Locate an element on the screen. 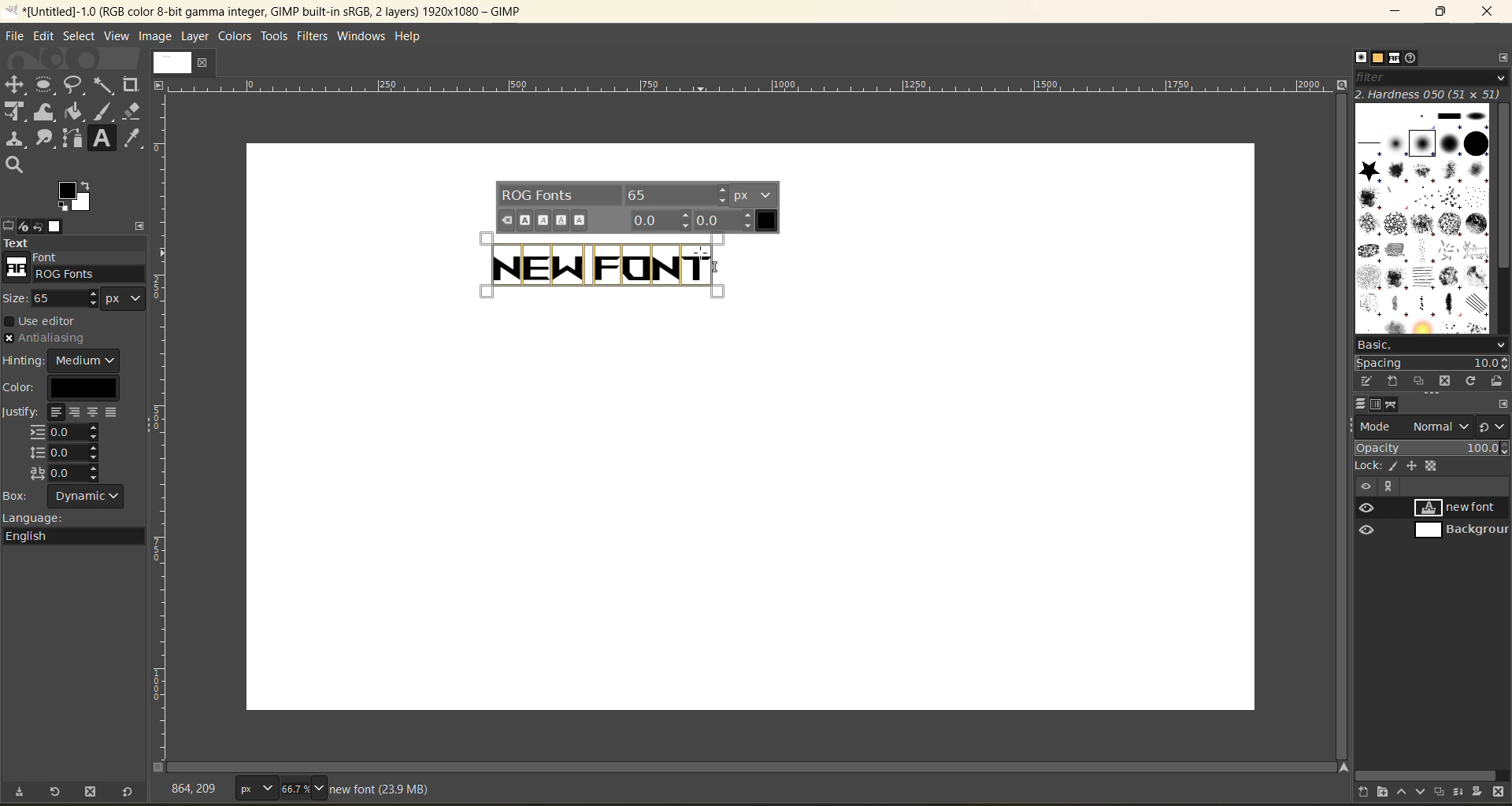 Image resolution: width=1512 pixels, height=806 pixels. color is located at coordinates (69, 387).